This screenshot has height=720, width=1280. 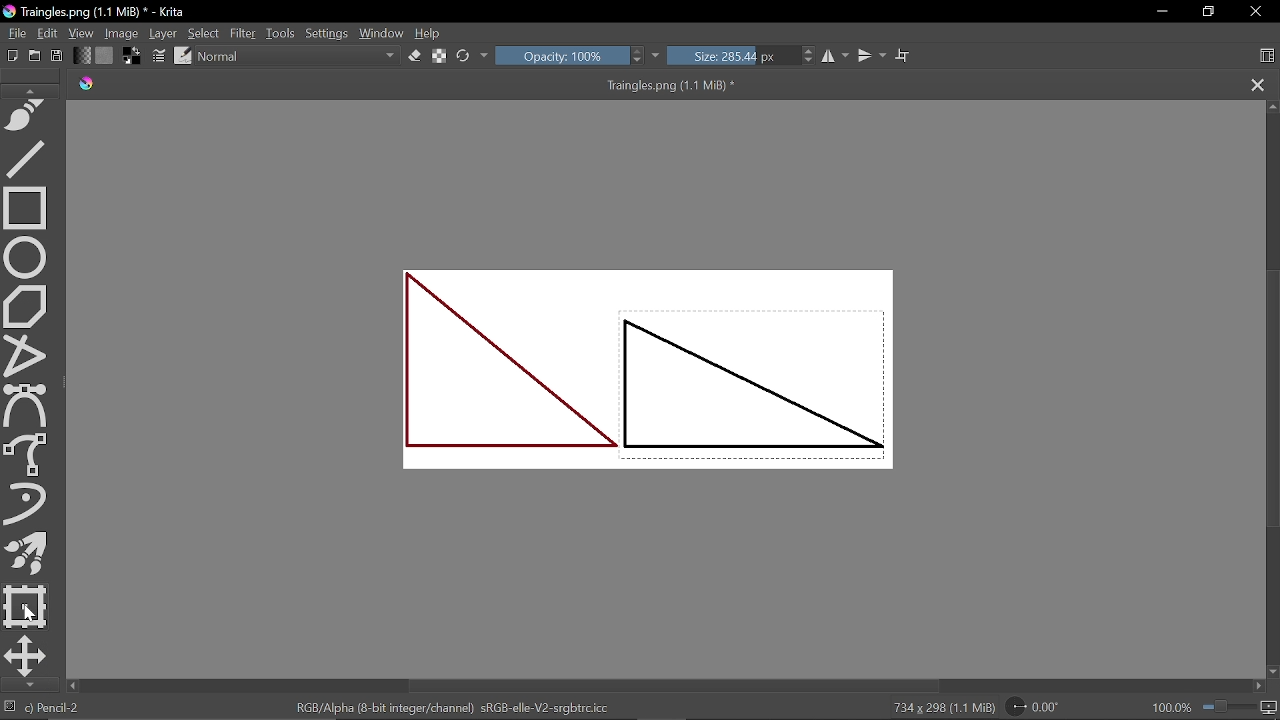 What do you see at coordinates (81, 56) in the screenshot?
I see `Gradient fill` at bounding box center [81, 56].